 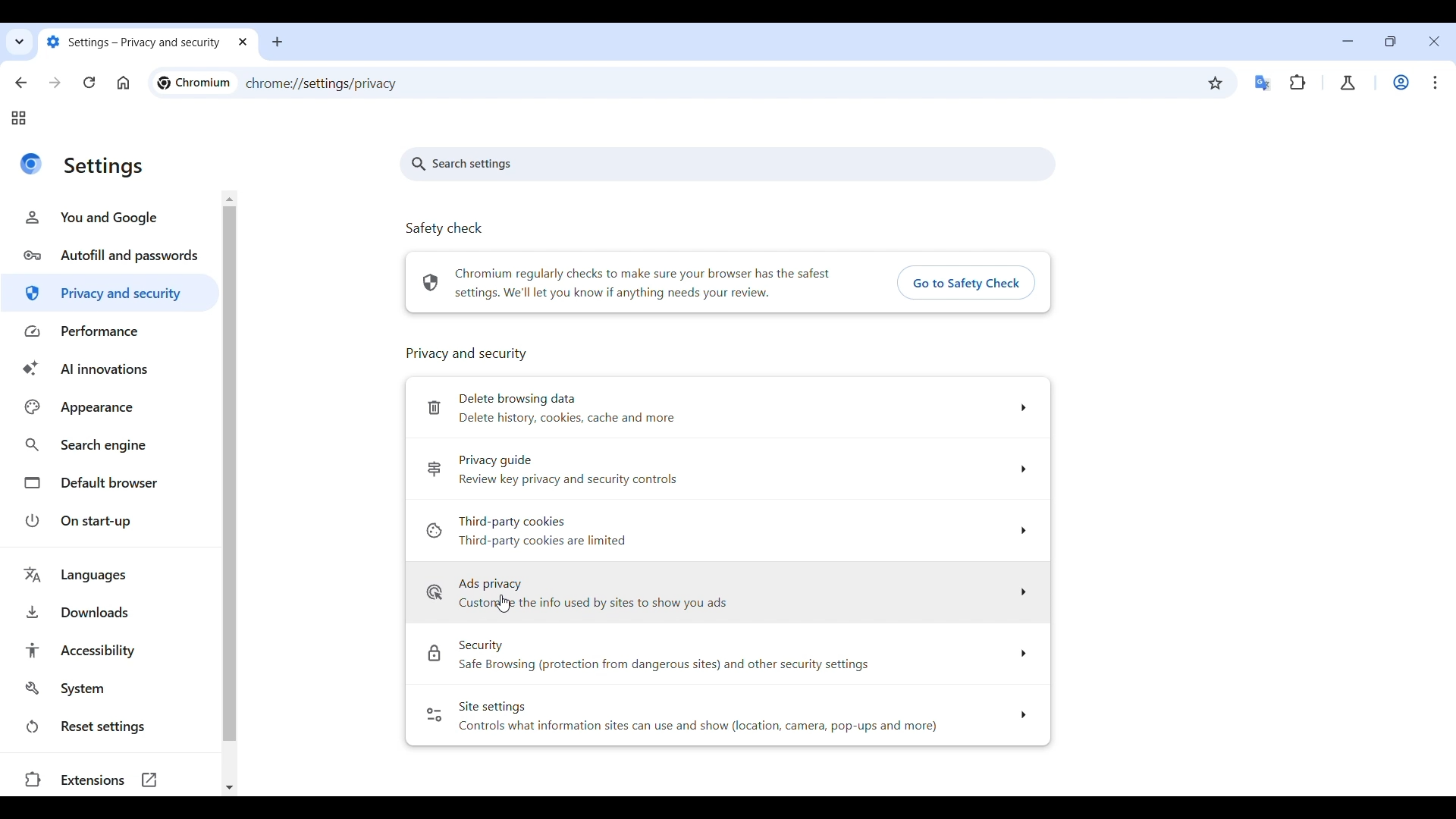 I want to click on Downloads, so click(x=111, y=612).